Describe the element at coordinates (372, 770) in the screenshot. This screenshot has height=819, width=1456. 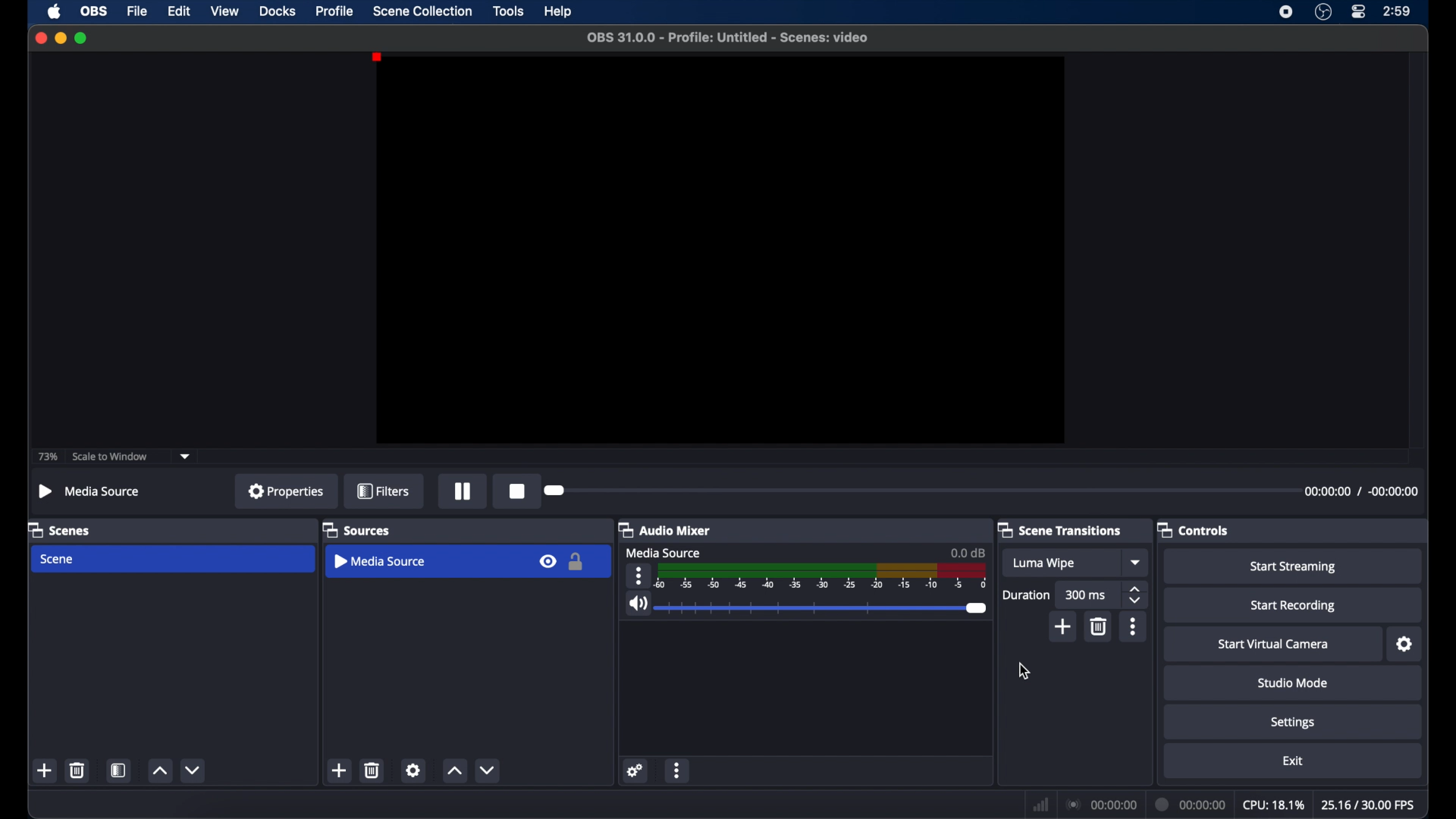
I see `delete` at that location.